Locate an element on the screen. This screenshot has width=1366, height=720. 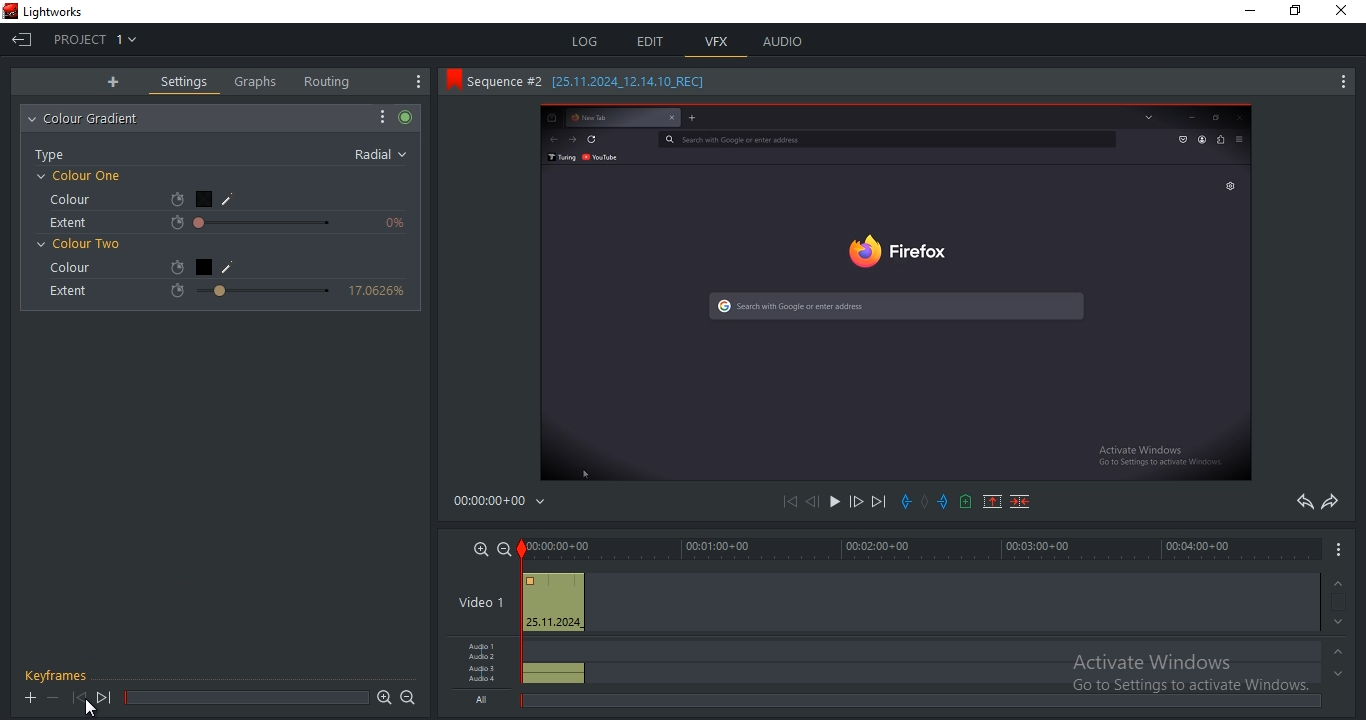
Audio 4 is located at coordinates (485, 682).